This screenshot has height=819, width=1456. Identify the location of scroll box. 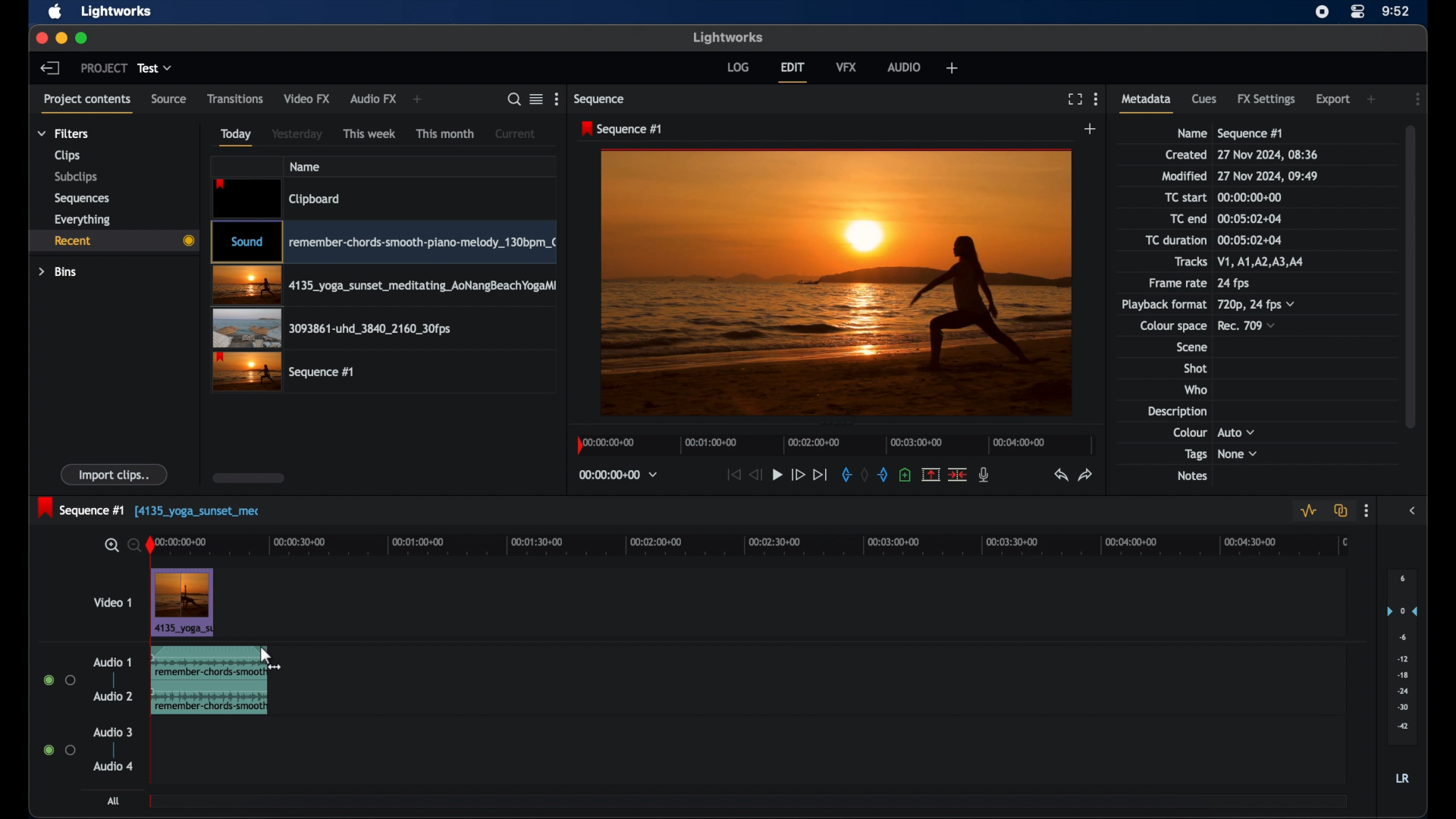
(249, 478).